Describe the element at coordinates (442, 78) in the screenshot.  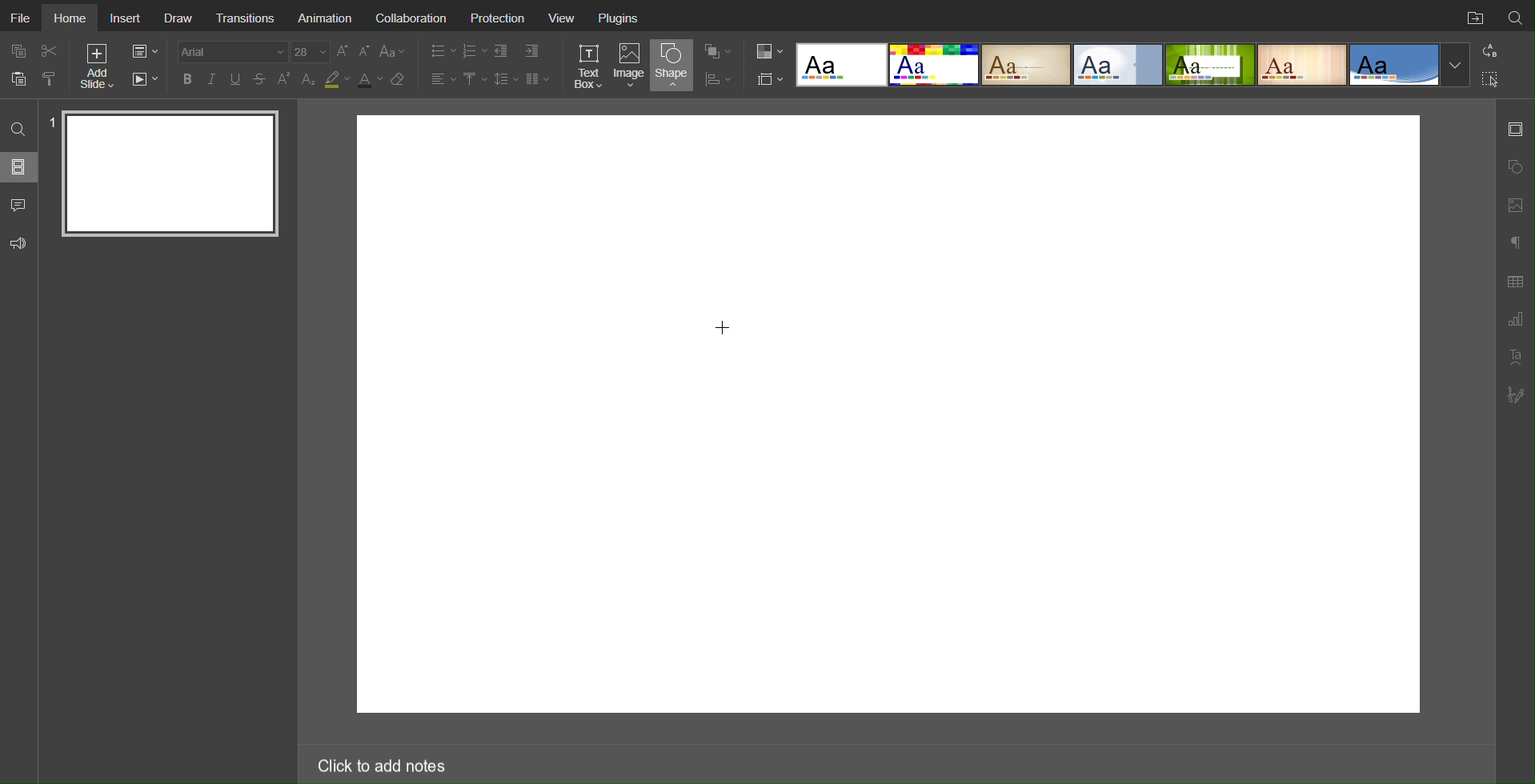
I see `Alignment` at that location.